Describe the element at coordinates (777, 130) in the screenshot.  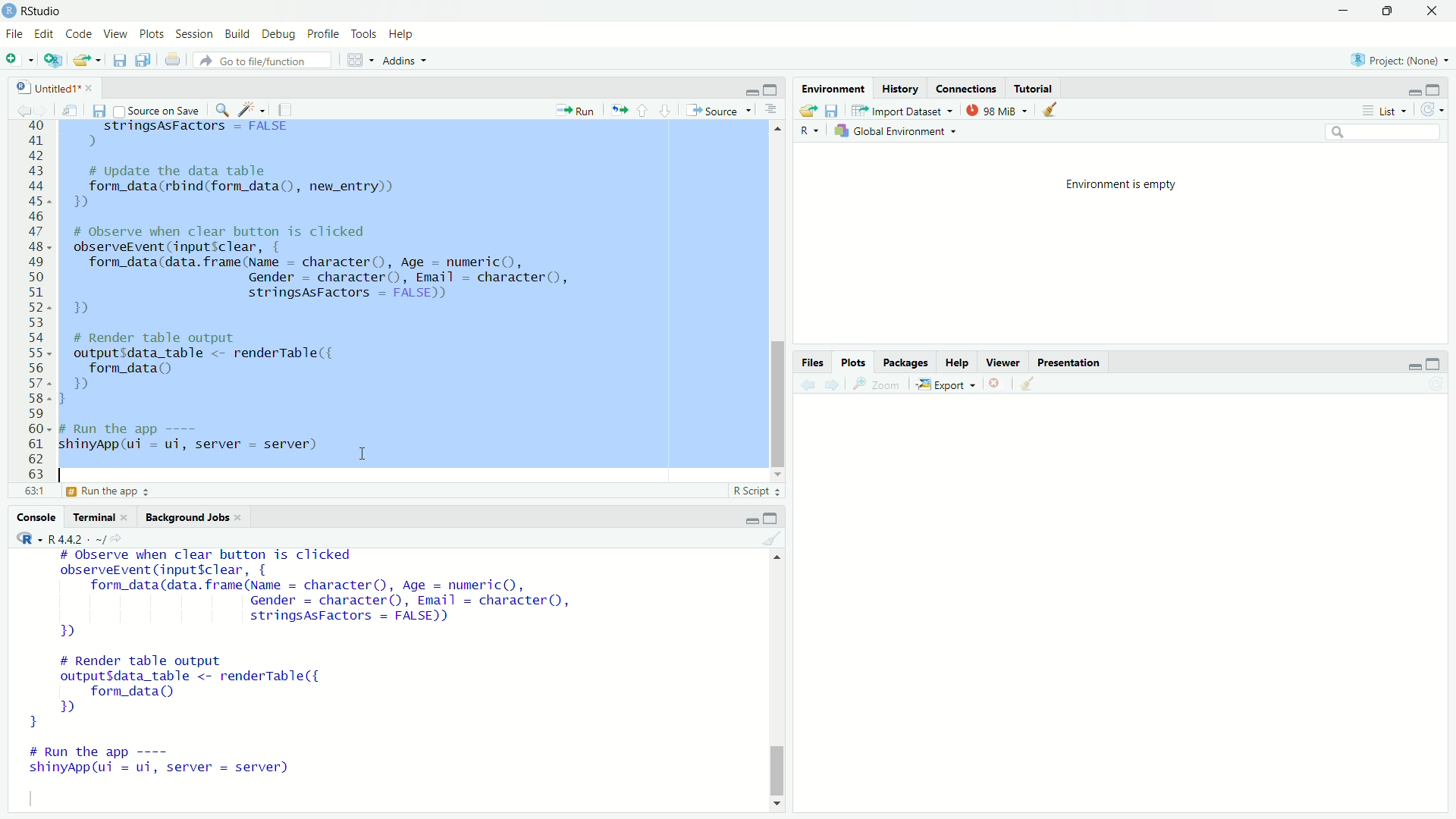
I see `move up` at that location.